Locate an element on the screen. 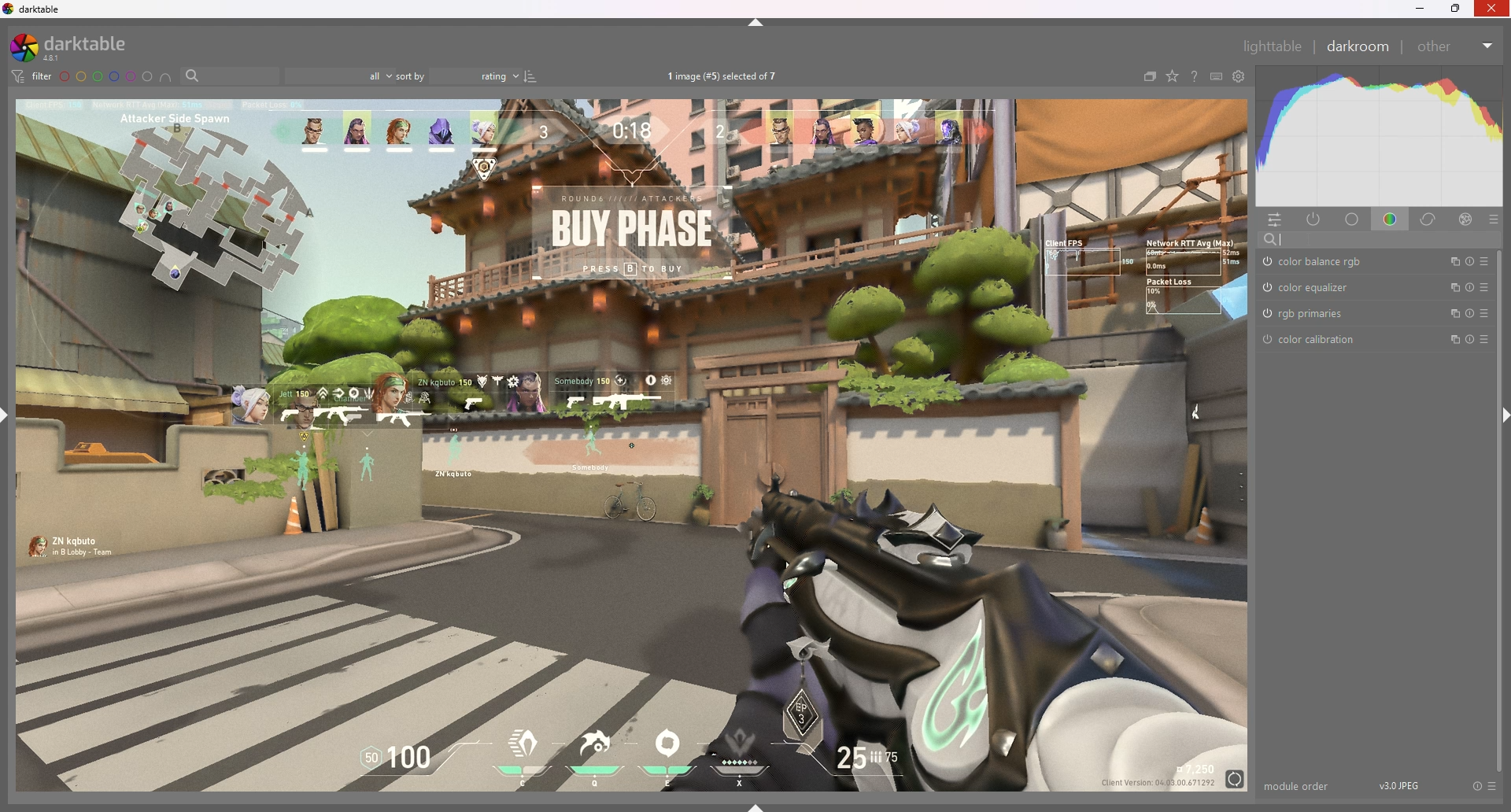 The height and width of the screenshot is (812, 1511). version is located at coordinates (1400, 784).